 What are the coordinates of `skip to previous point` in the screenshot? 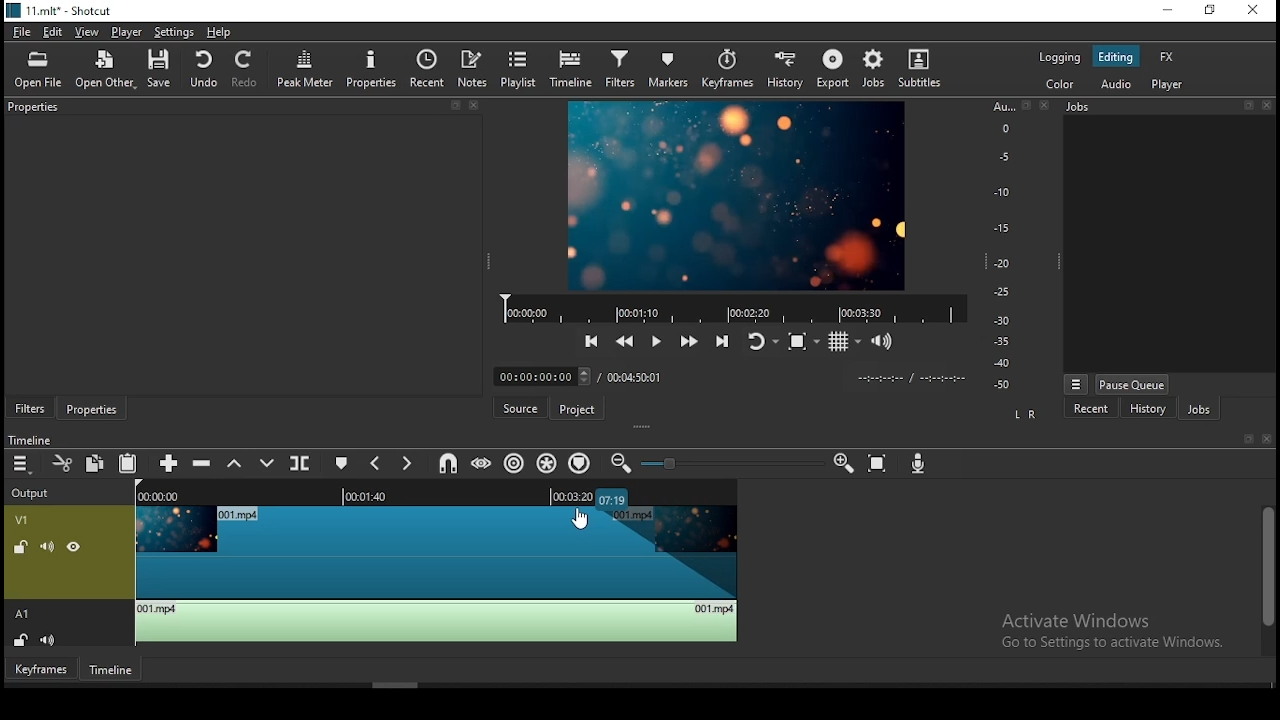 It's located at (592, 341).